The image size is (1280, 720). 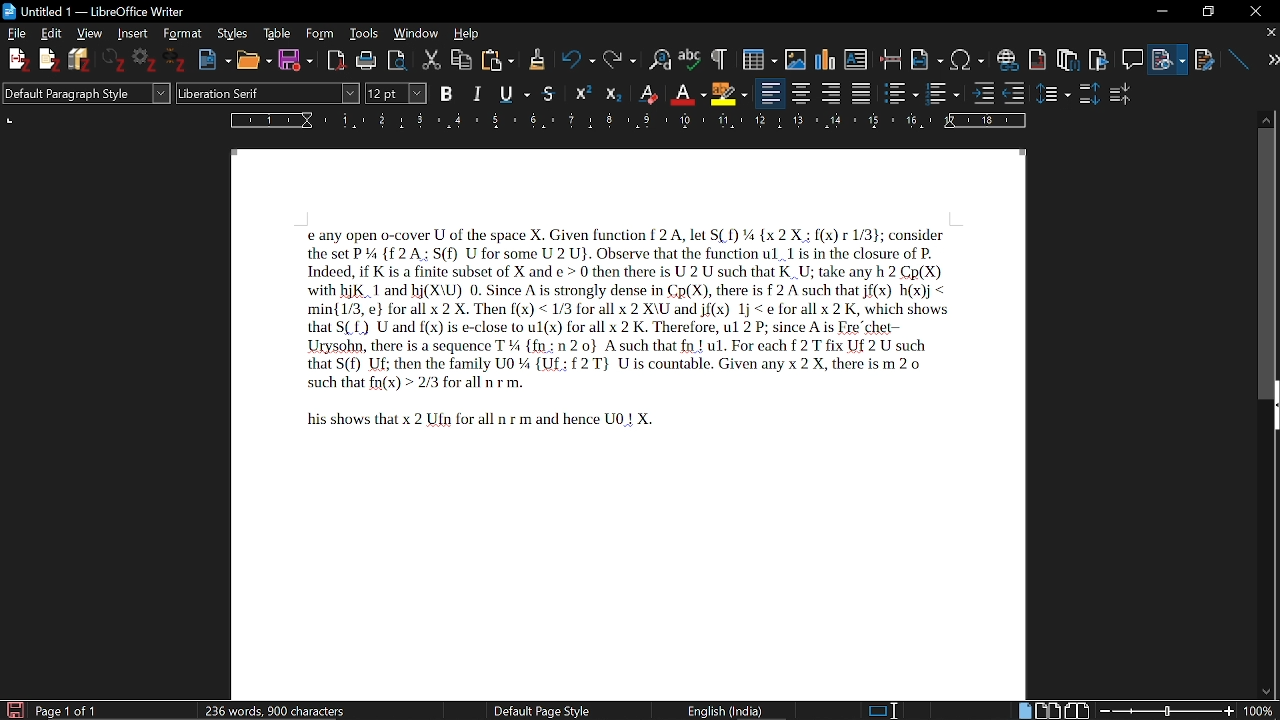 What do you see at coordinates (433, 58) in the screenshot?
I see `Cut` at bounding box center [433, 58].